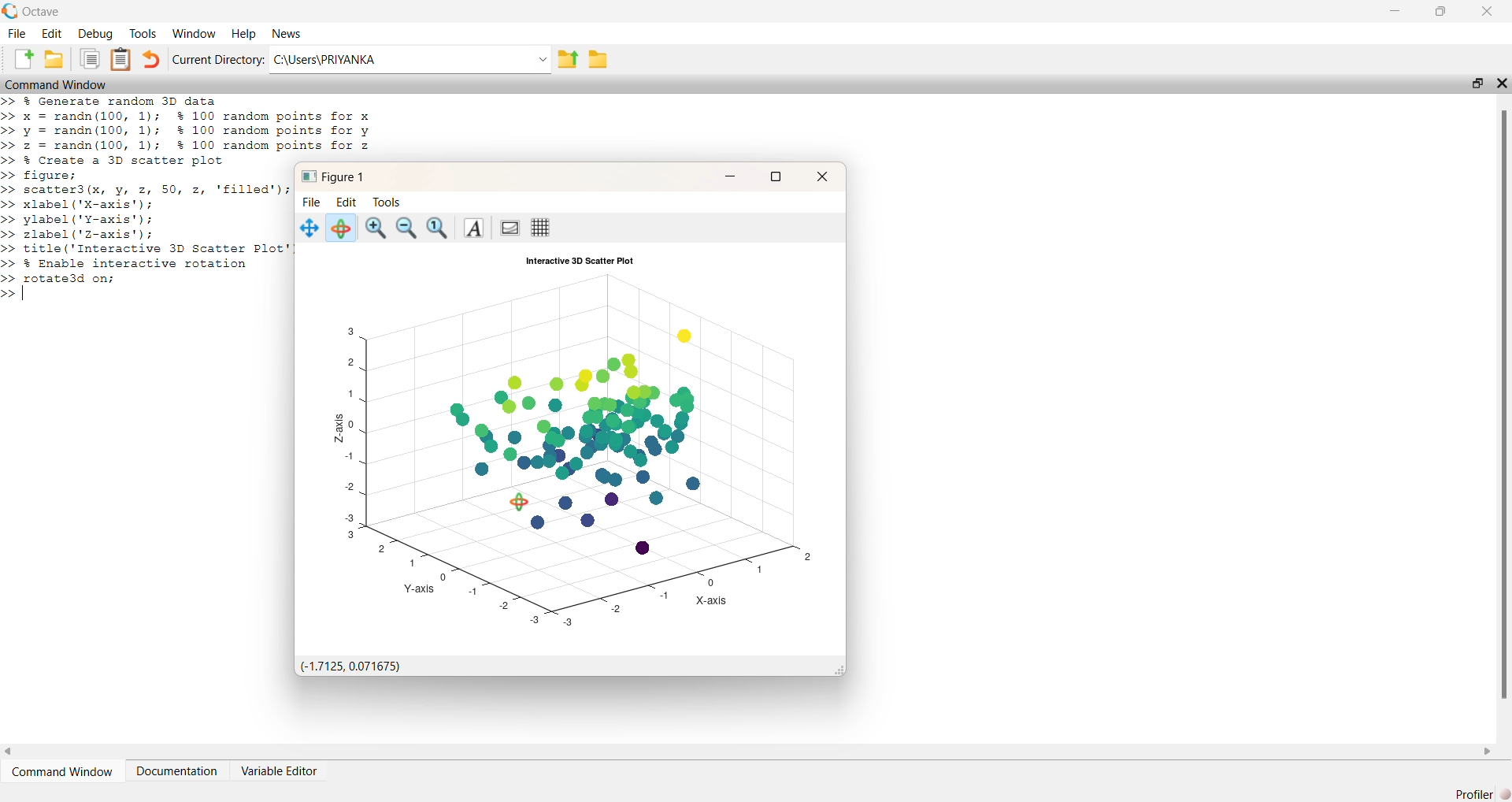 This screenshot has height=802, width=1512. Describe the element at coordinates (348, 666) in the screenshot. I see `(-1.7125, 0.071675)` at that location.